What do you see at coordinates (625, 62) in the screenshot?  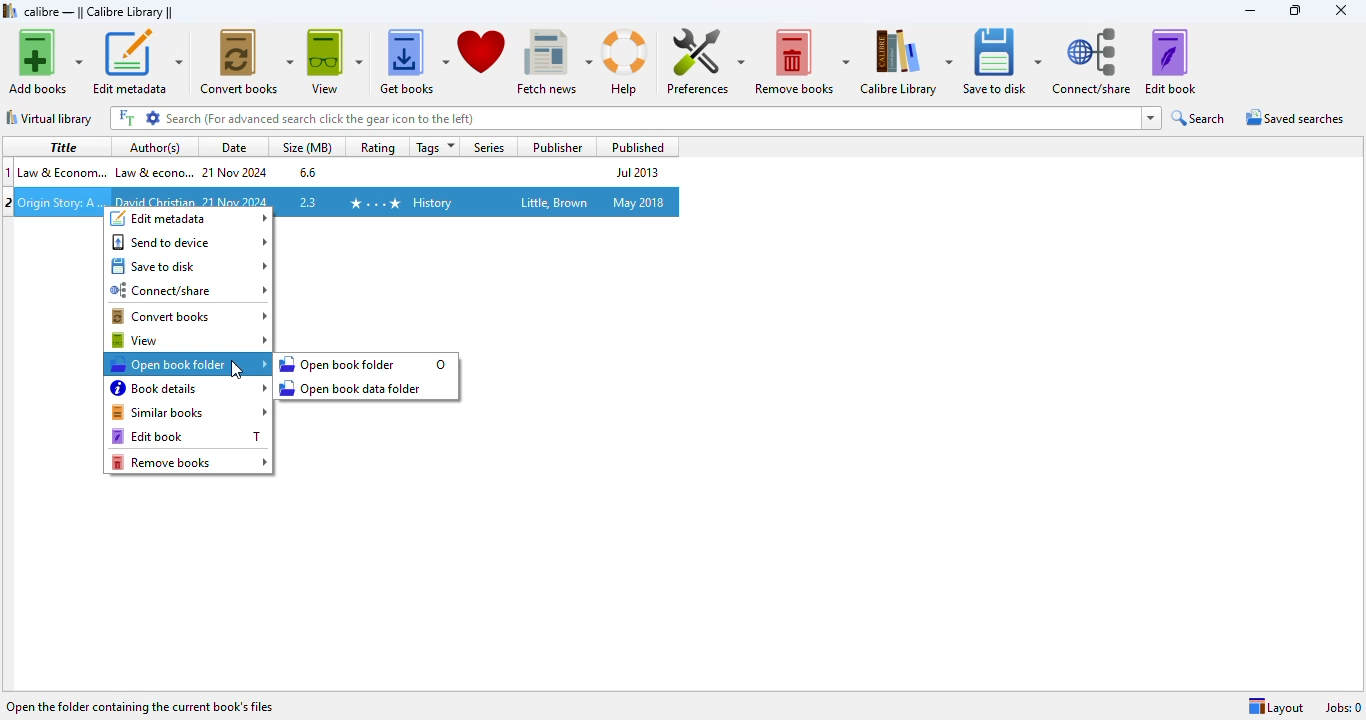 I see `help` at bounding box center [625, 62].